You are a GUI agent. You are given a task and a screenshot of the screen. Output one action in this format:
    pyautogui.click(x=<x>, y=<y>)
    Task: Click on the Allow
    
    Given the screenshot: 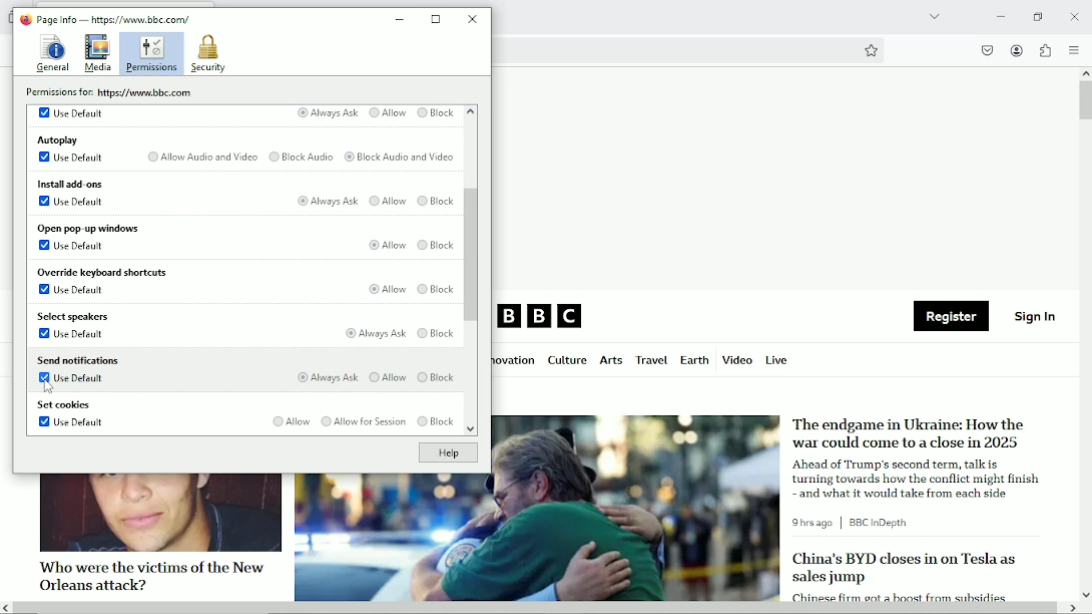 What is the action you would take?
    pyautogui.click(x=384, y=244)
    